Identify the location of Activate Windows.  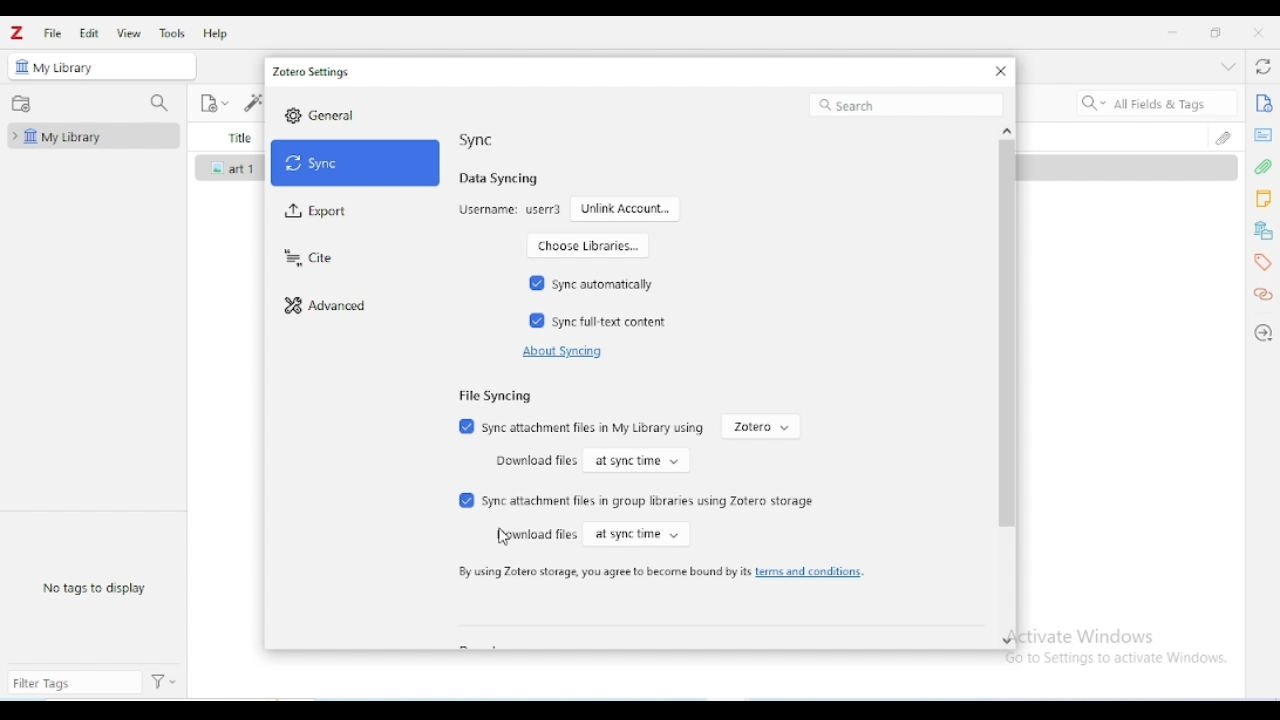
(1085, 635).